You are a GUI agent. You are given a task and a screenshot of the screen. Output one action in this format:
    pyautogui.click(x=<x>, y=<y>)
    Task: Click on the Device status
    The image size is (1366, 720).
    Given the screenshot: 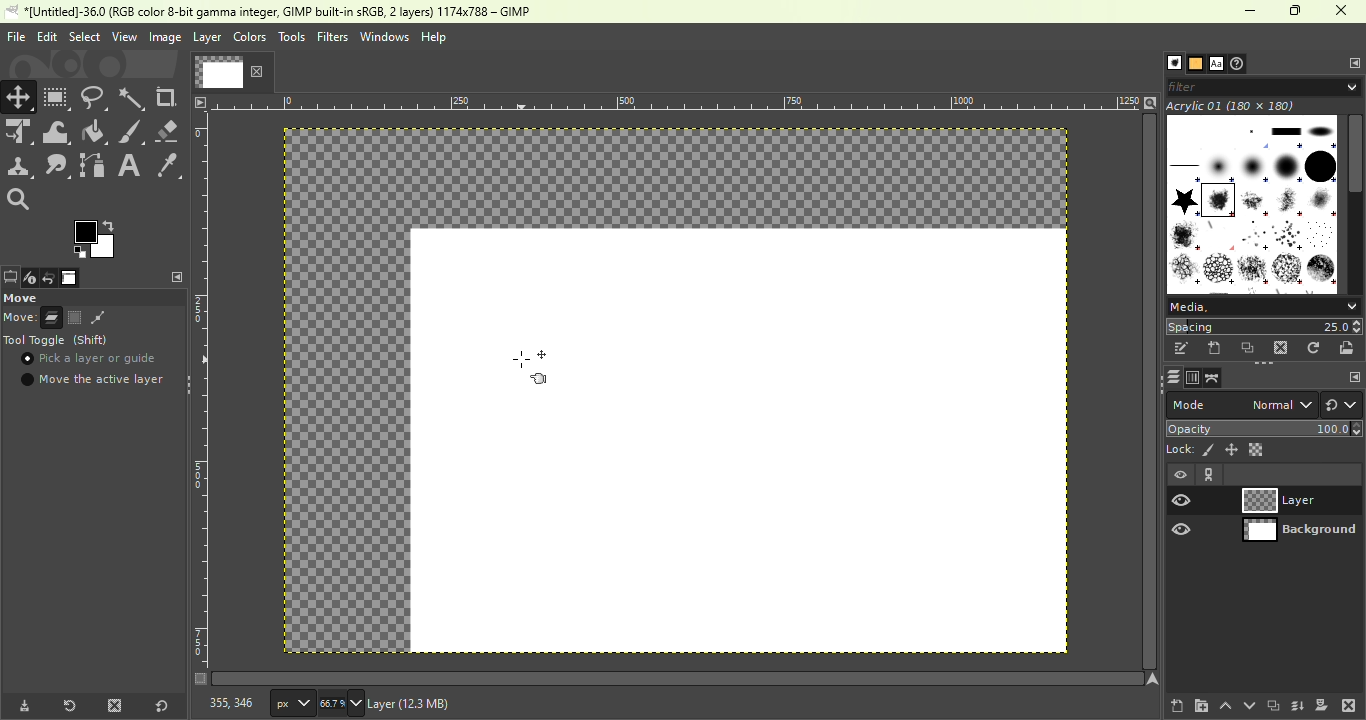 What is the action you would take?
    pyautogui.click(x=28, y=279)
    